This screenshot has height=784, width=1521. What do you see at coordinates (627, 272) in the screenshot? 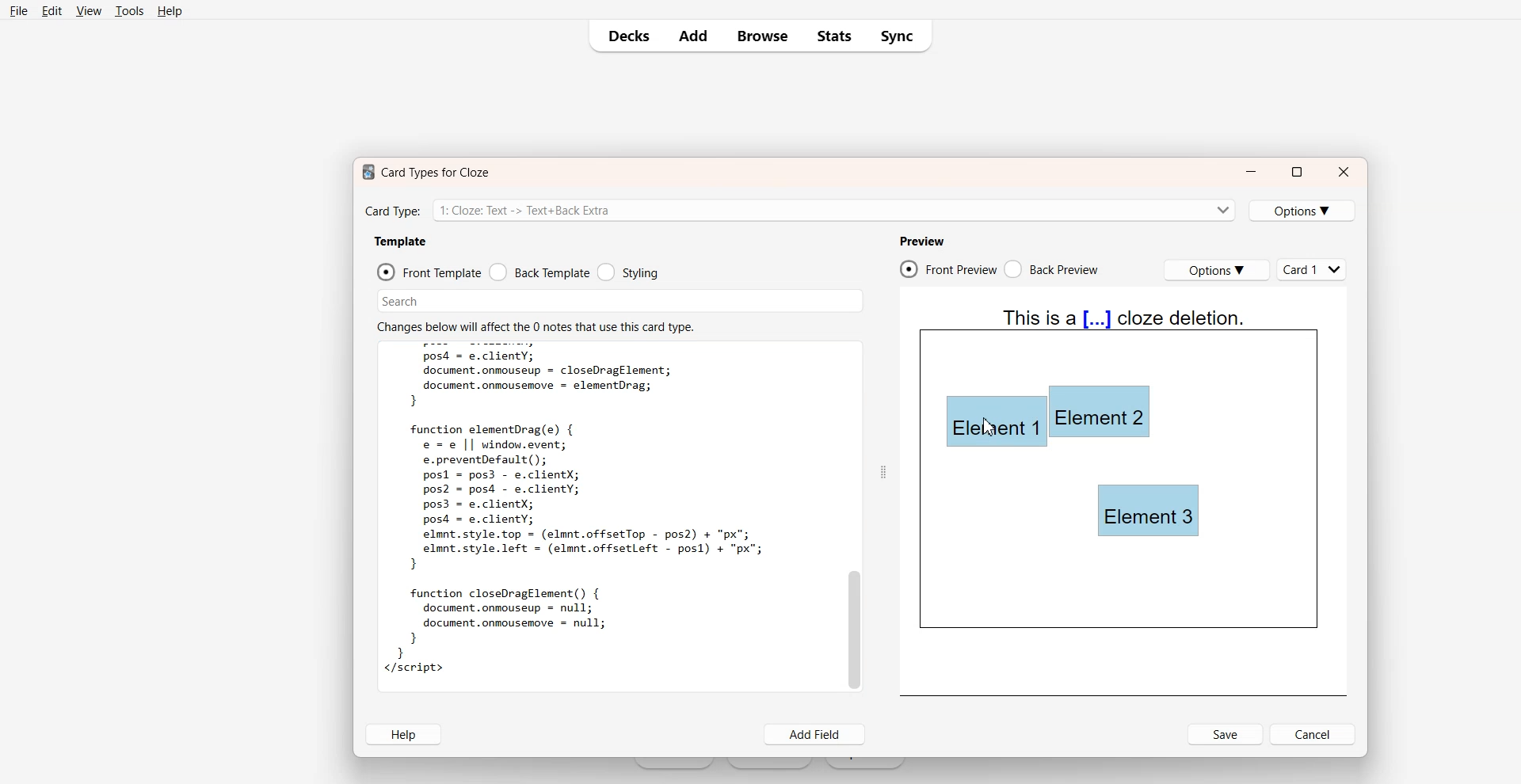
I see `Styling` at bounding box center [627, 272].